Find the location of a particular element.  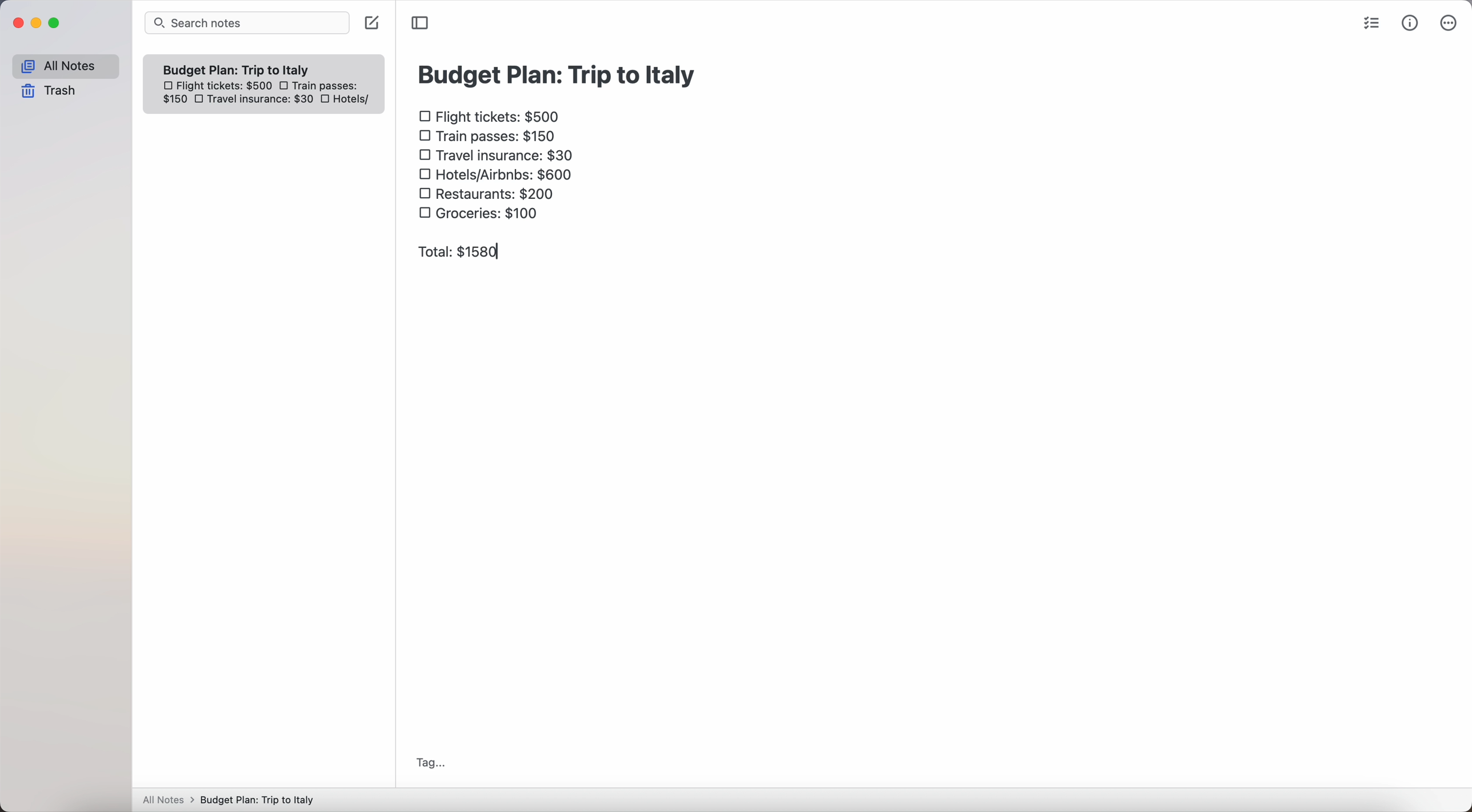

all notes is located at coordinates (65, 66).